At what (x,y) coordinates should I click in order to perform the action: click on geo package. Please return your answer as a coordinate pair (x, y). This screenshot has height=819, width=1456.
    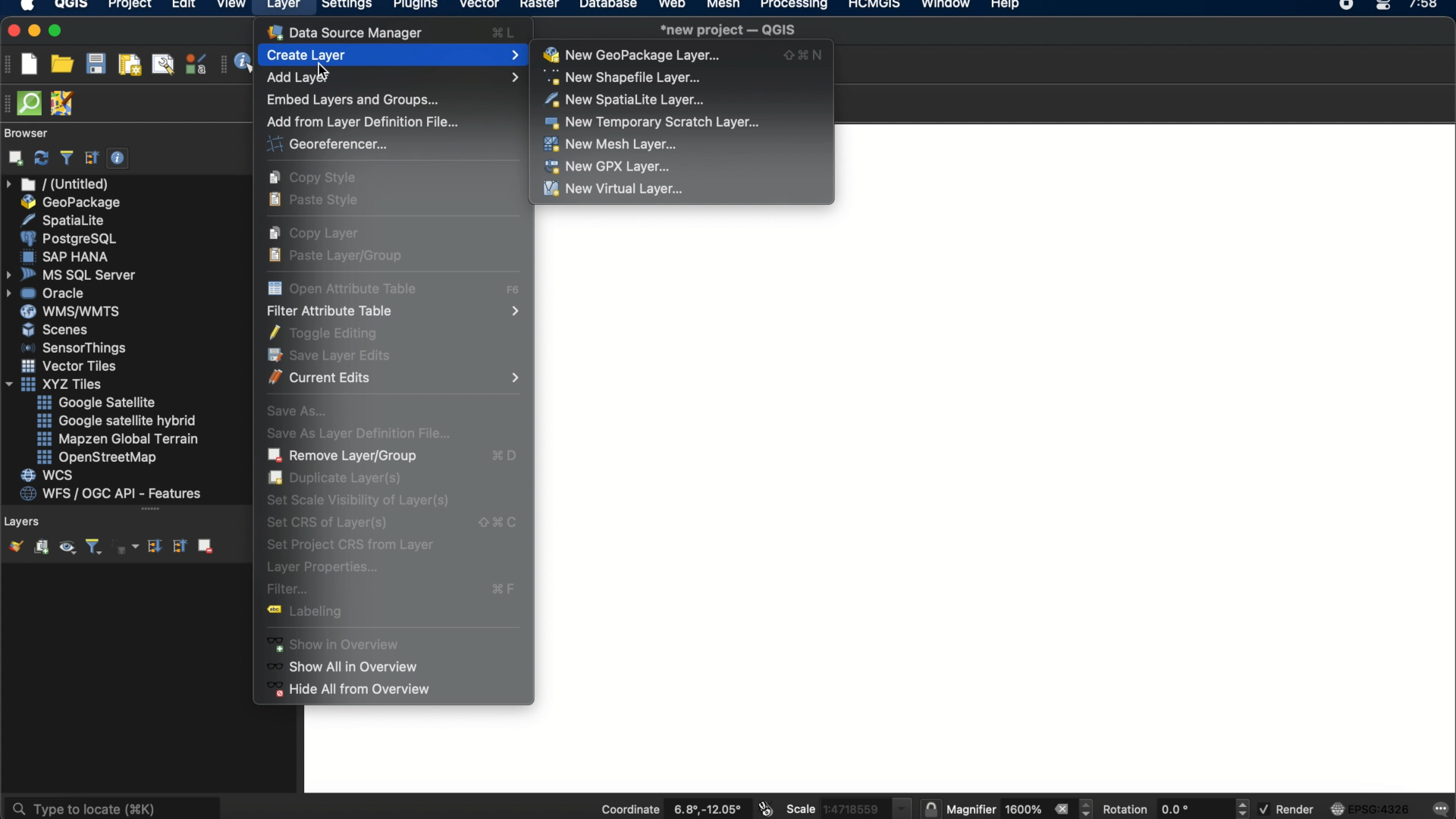
    Looking at the image, I should click on (69, 203).